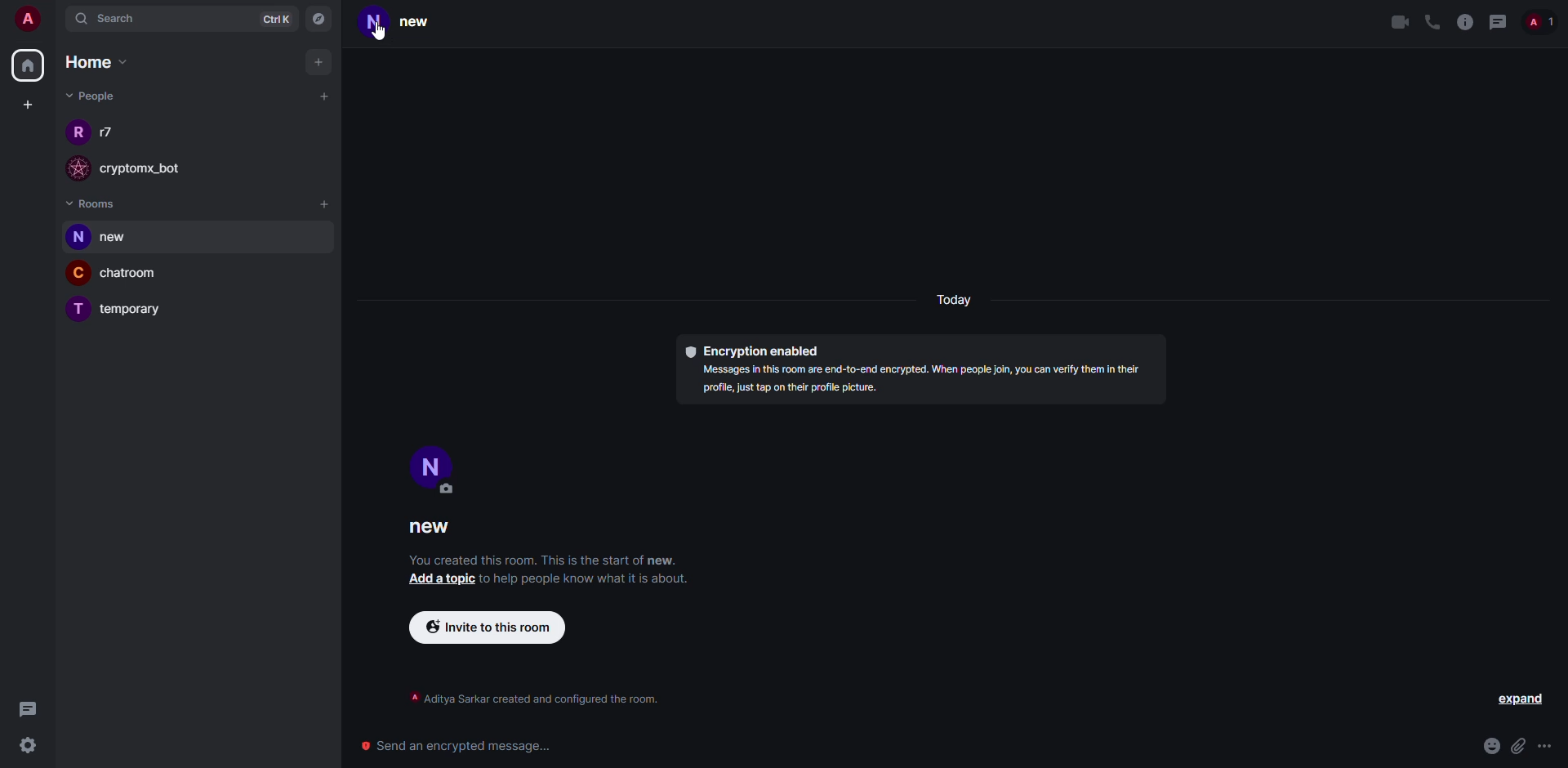  What do you see at coordinates (76, 131) in the screenshot?
I see `profile image` at bounding box center [76, 131].